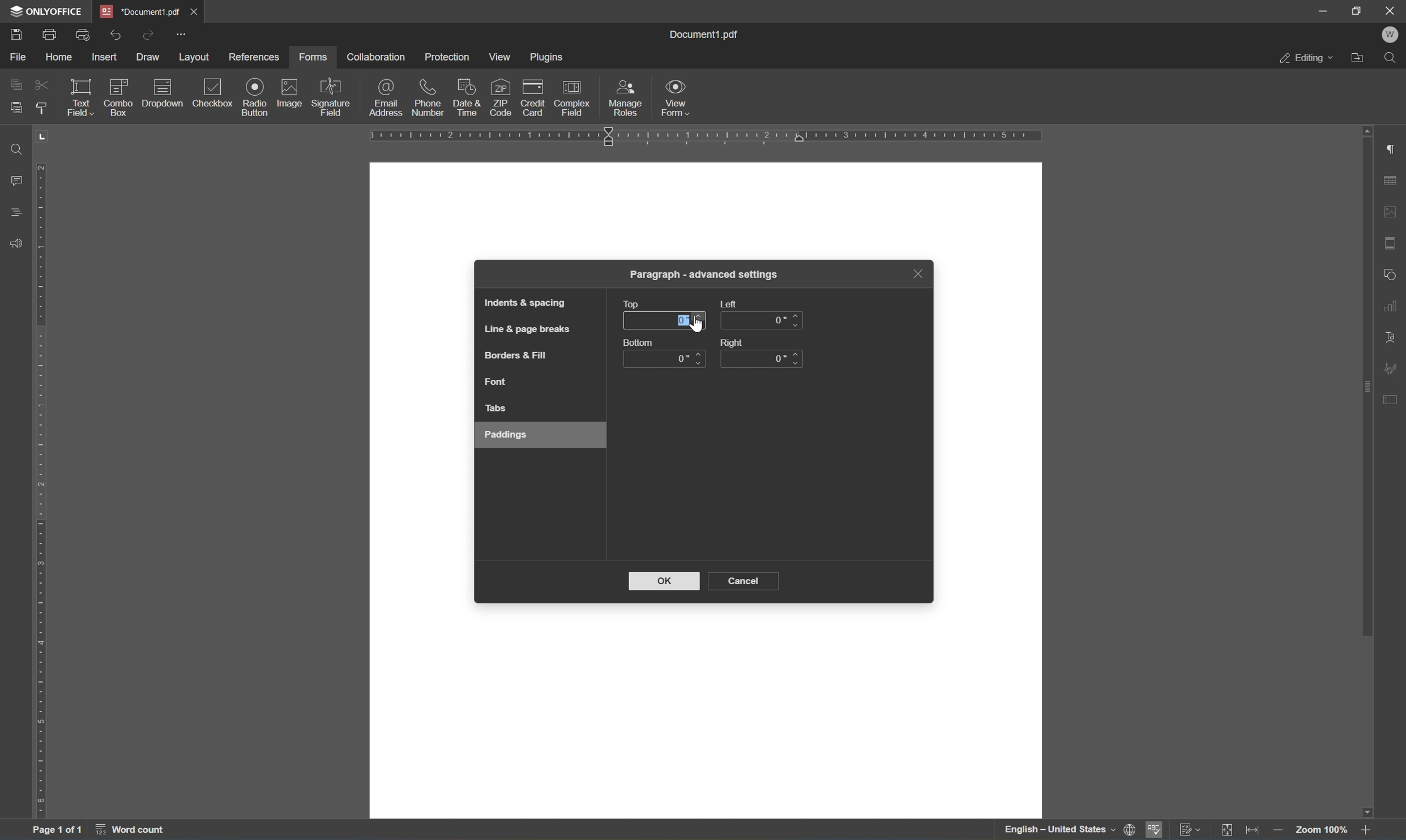 The image size is (1406, 840). Describe the element at coordinates (664, 580) in the screenshot. I see `OK` at that location.